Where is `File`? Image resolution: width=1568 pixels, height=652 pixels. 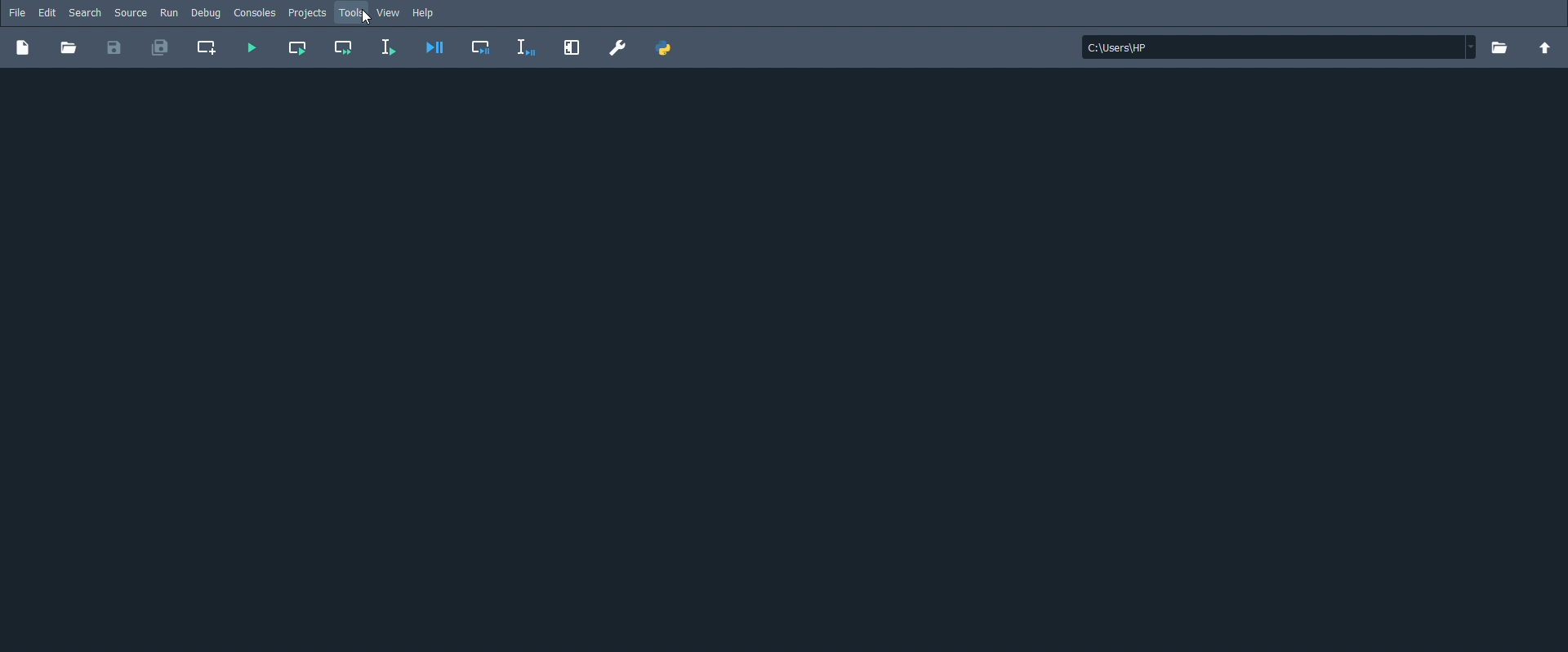
File is located at coordinates (16, 13).